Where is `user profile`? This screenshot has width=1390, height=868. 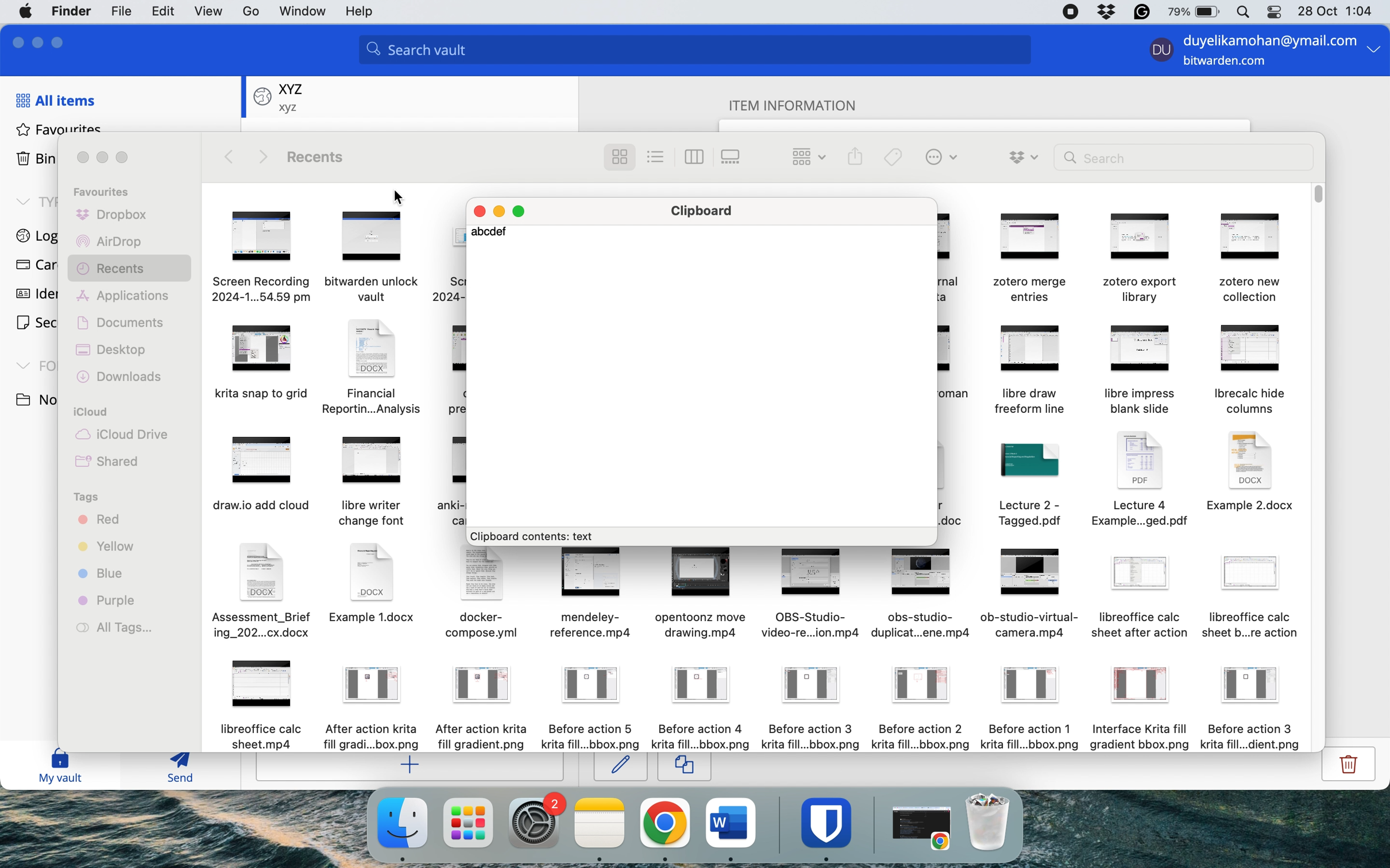
user profile is located at coordinates (1158, 52).